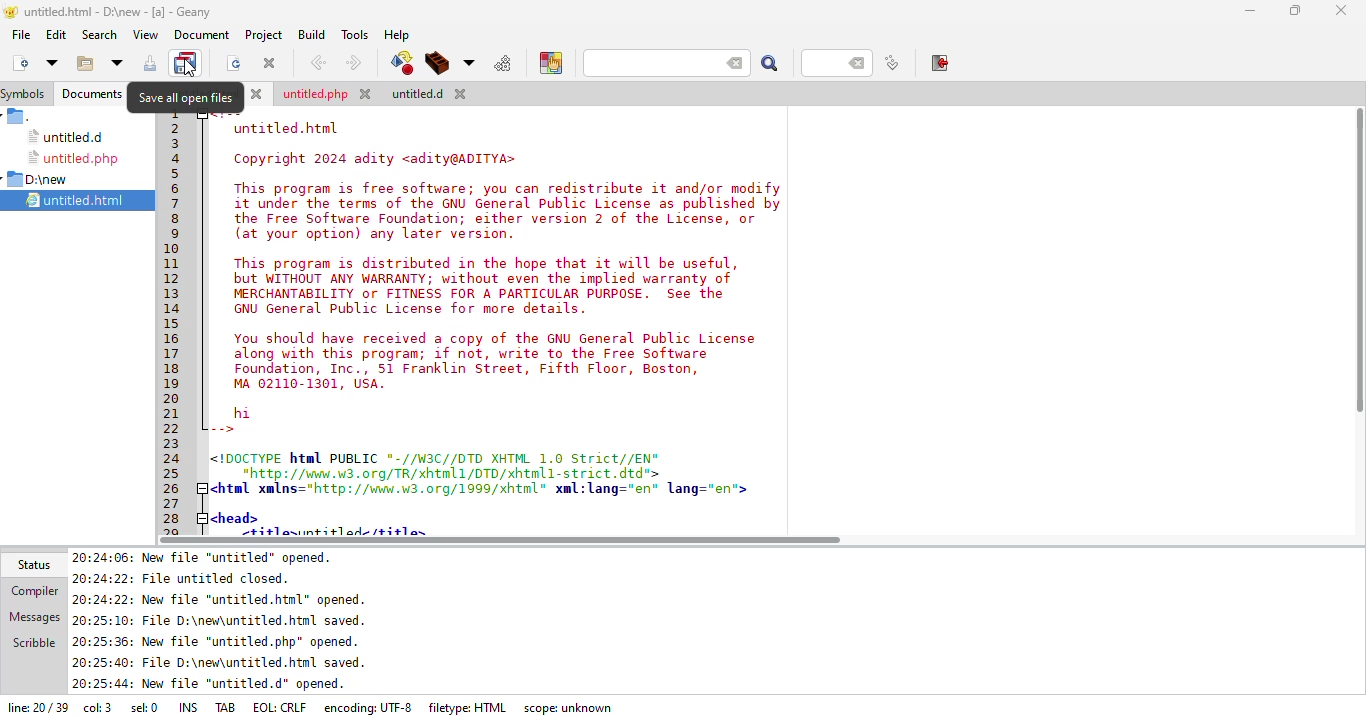 The width and height of the screenshot is (1366, 718). Describe the element at coordinates (398, 36) in the screenshot. I see `help` at that location.